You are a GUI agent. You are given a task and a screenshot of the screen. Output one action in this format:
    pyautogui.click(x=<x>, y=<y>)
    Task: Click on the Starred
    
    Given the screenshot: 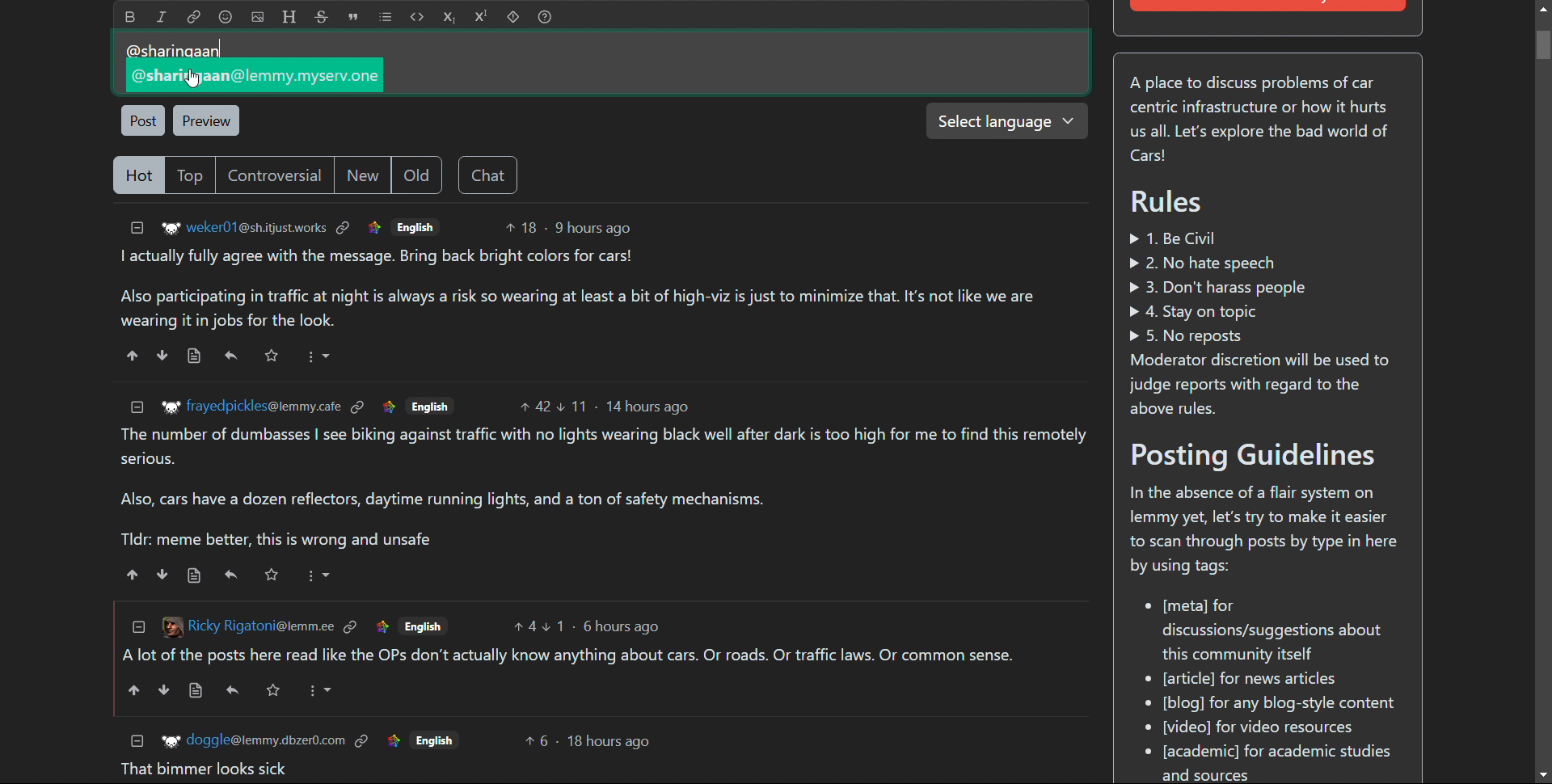 What is the action you would take?
    pyautogui.click(x=271, y=574)
    